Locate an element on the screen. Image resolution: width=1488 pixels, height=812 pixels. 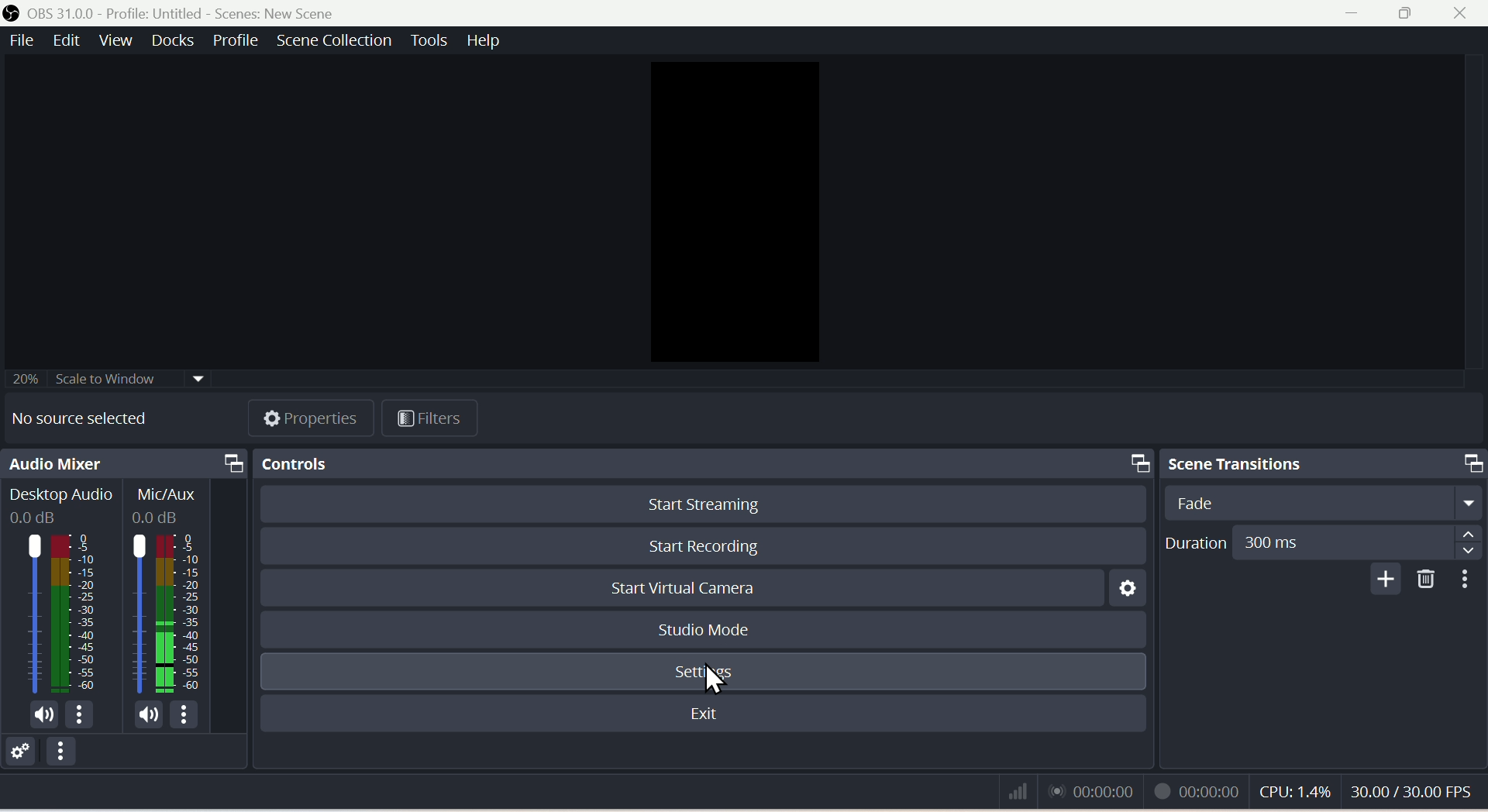
No source selected is located at coordinates (89, 415).